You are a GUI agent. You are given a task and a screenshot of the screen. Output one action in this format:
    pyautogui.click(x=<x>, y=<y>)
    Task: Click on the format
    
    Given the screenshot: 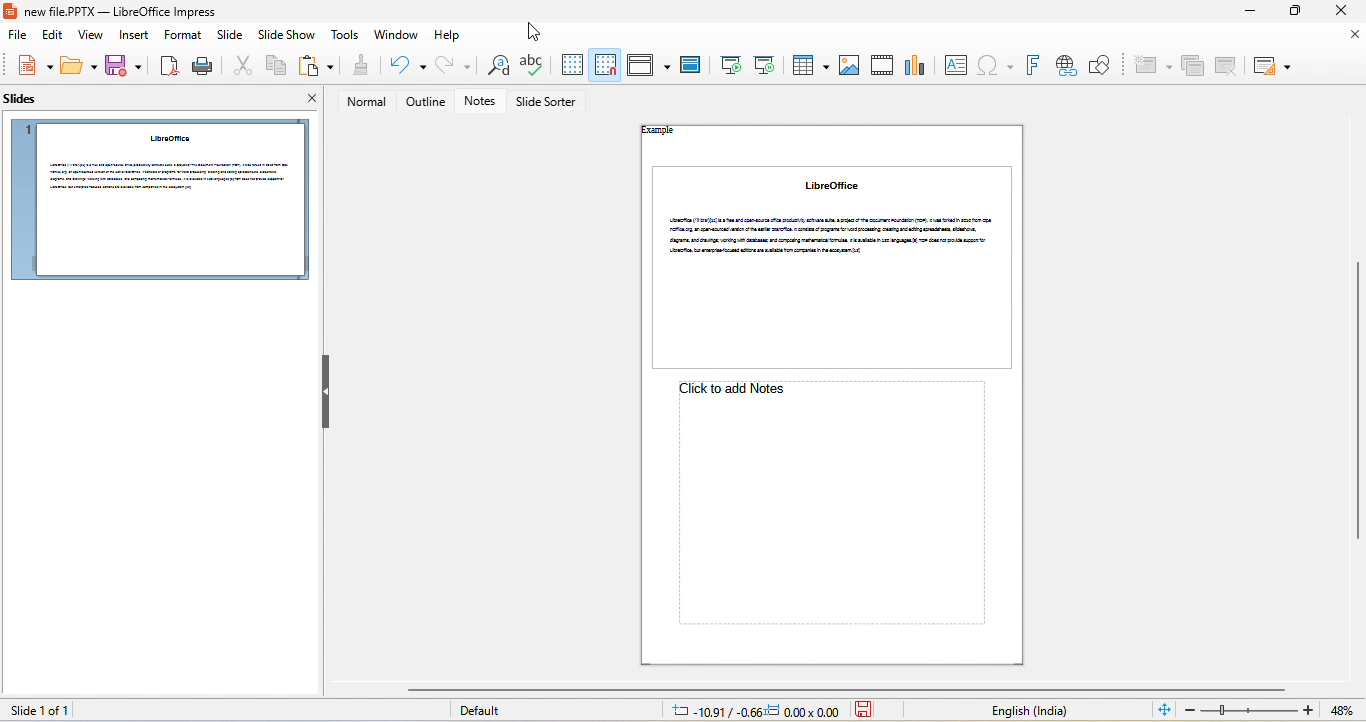 What is the action you would take?
    pyautogui.click(x=182, y=35)
    